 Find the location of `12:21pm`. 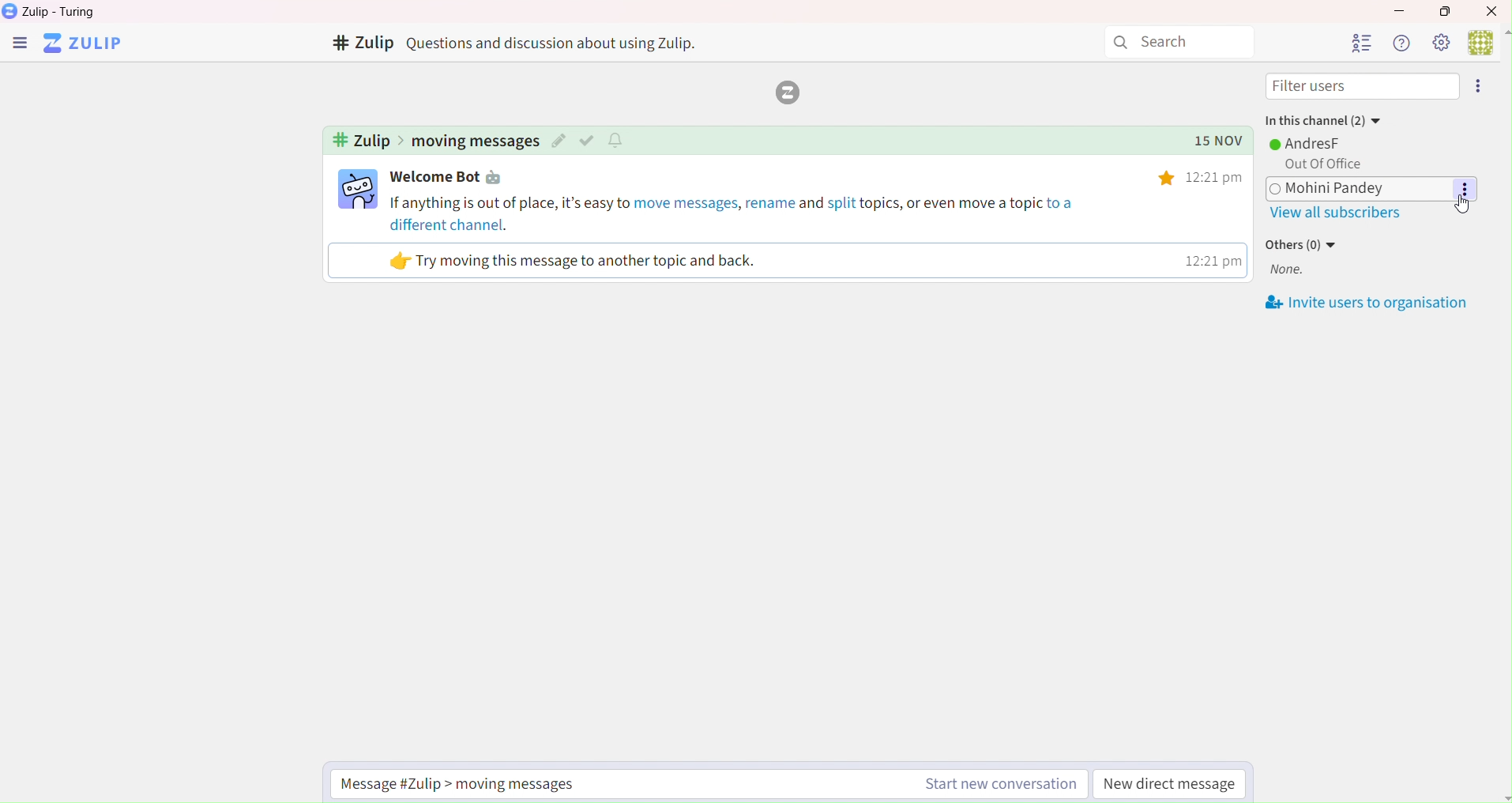

12:21pm is located at coordinates (1218, 177).